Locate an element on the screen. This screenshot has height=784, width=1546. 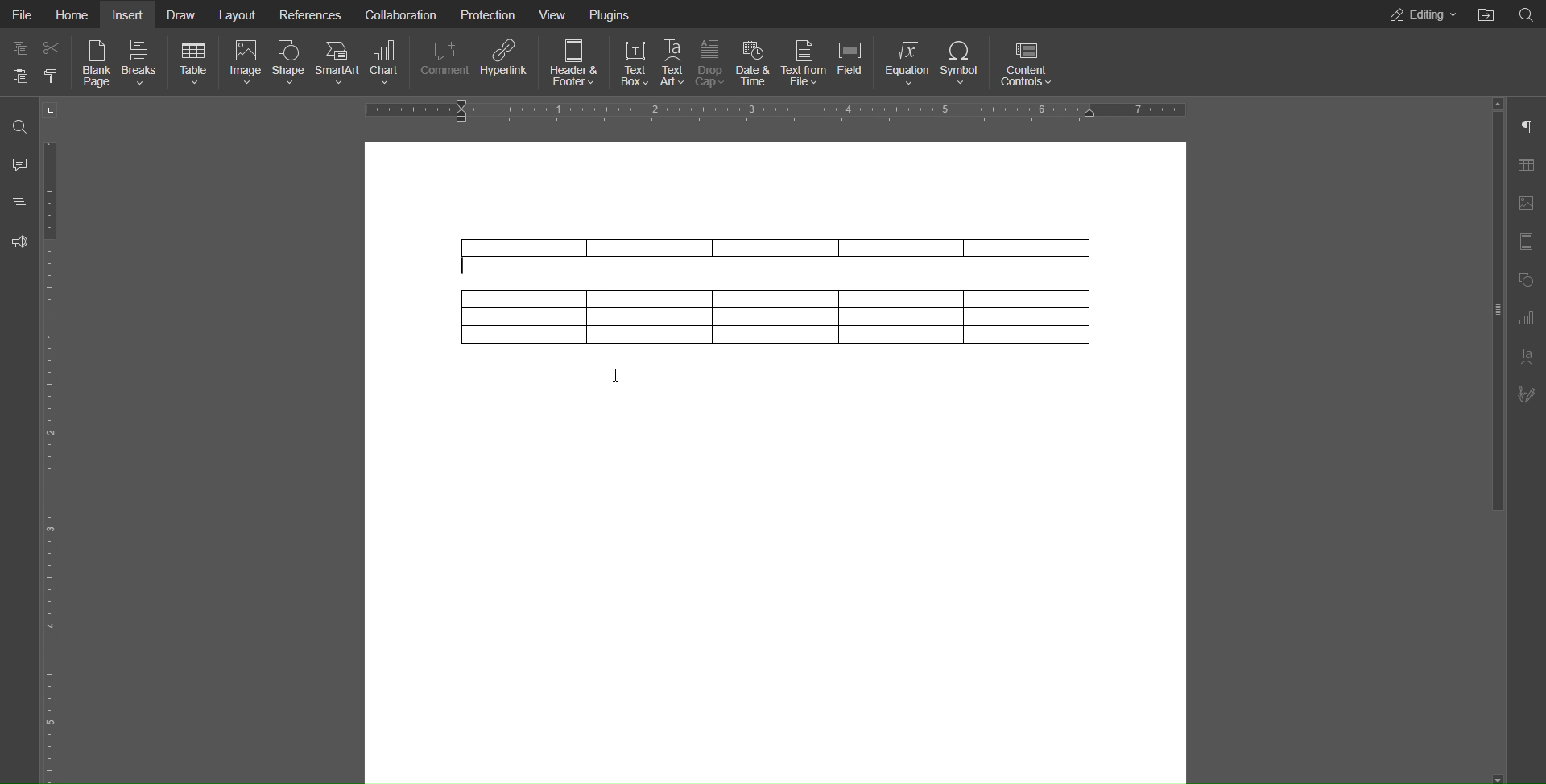
Table 2 is located at coordinates (778, 323).